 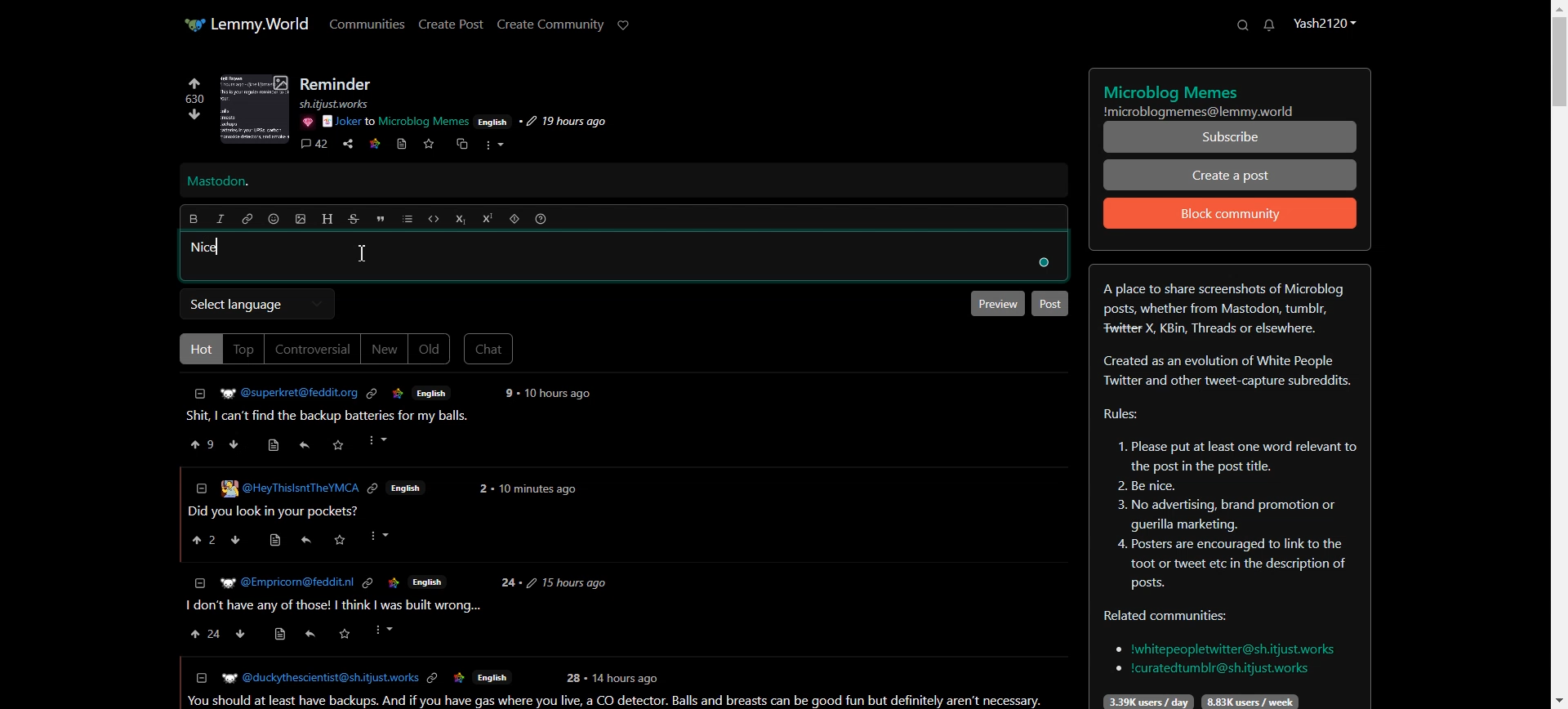 What do you see at coordinates (385, 630) in the screenshot?
I see `` at bounding box center [385, 630].